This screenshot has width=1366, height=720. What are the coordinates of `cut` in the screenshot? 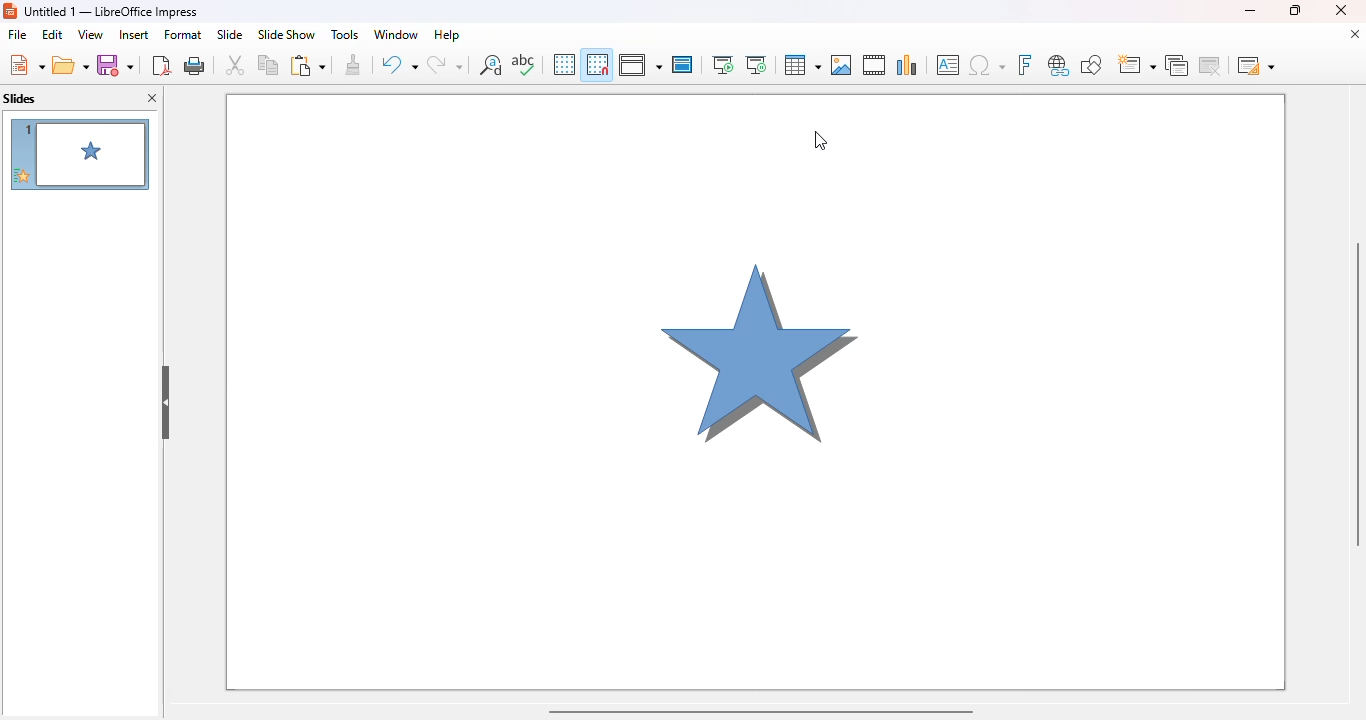 It's located at (235, 64).